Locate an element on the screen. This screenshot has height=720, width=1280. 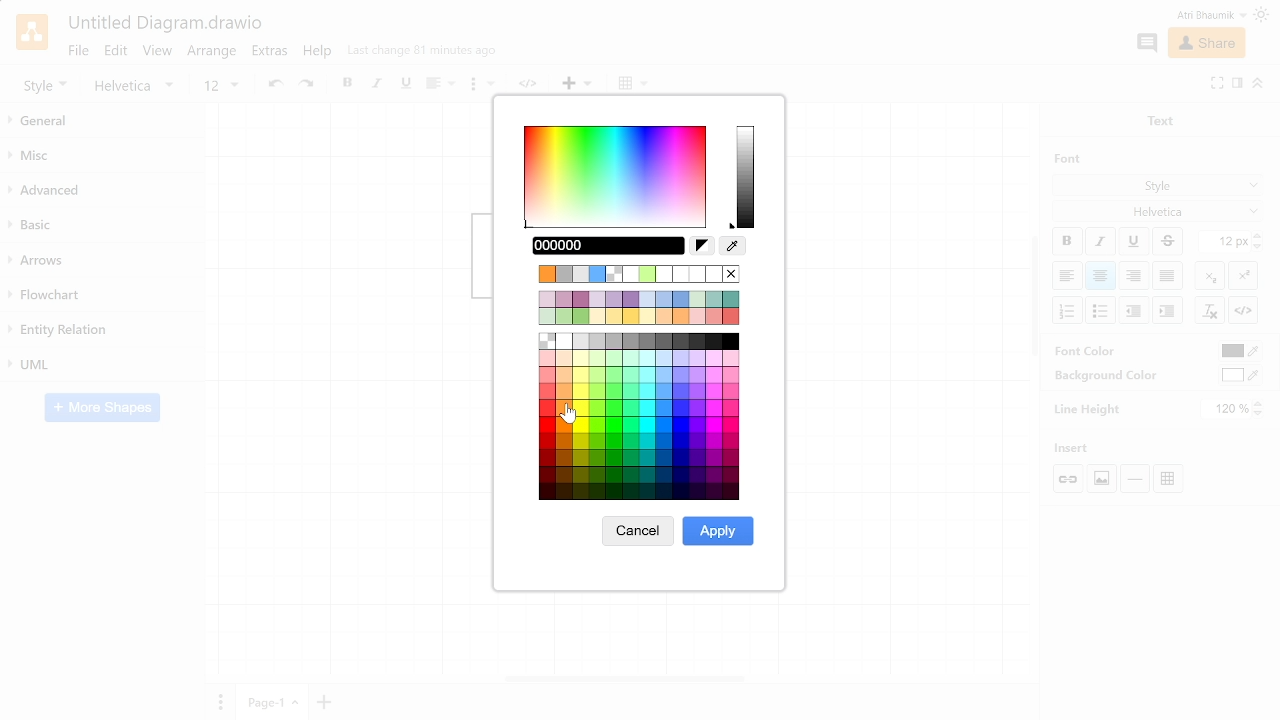
More shapes is located at coordinates (102, 409).